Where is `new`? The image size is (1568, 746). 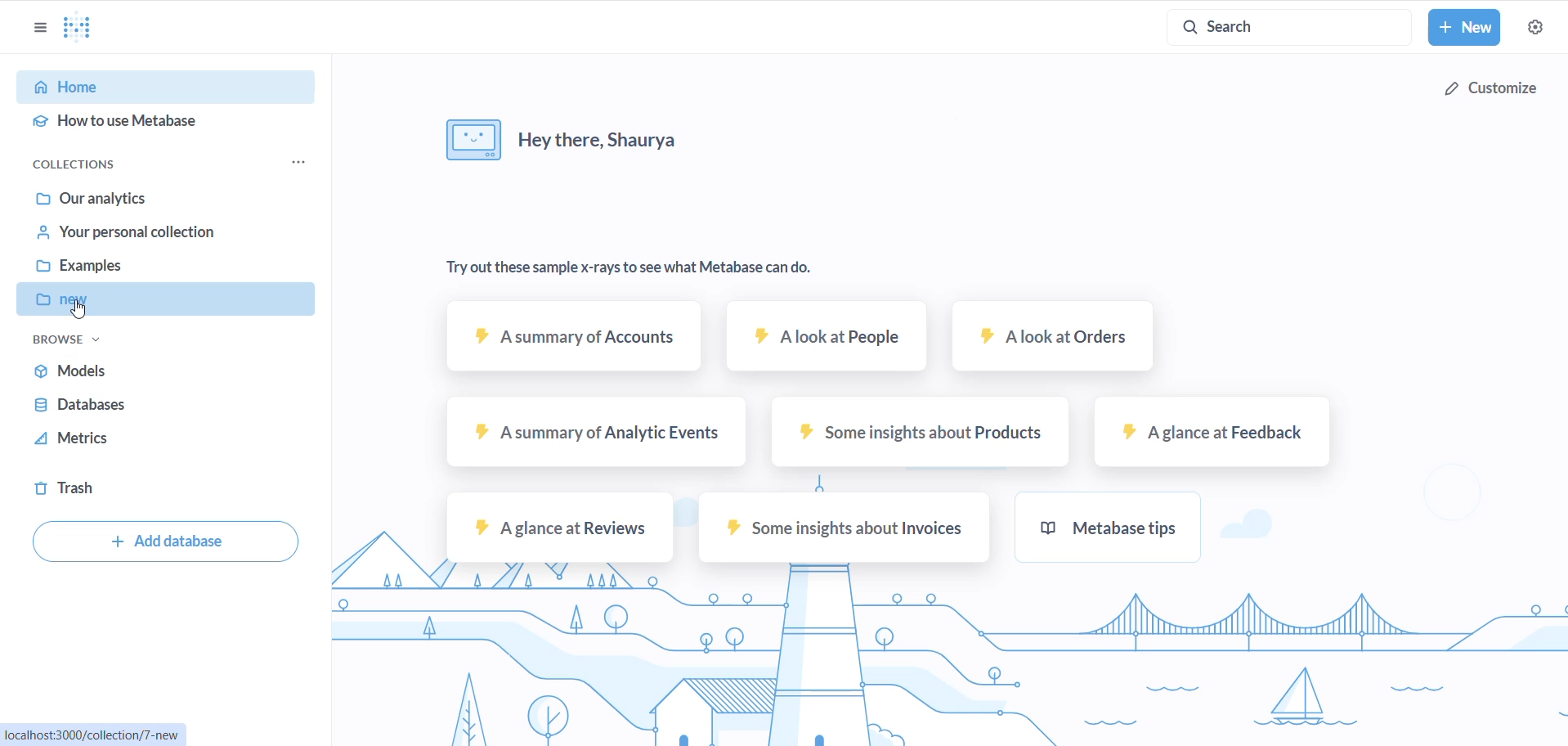
new is located at coordinates (171, 302).